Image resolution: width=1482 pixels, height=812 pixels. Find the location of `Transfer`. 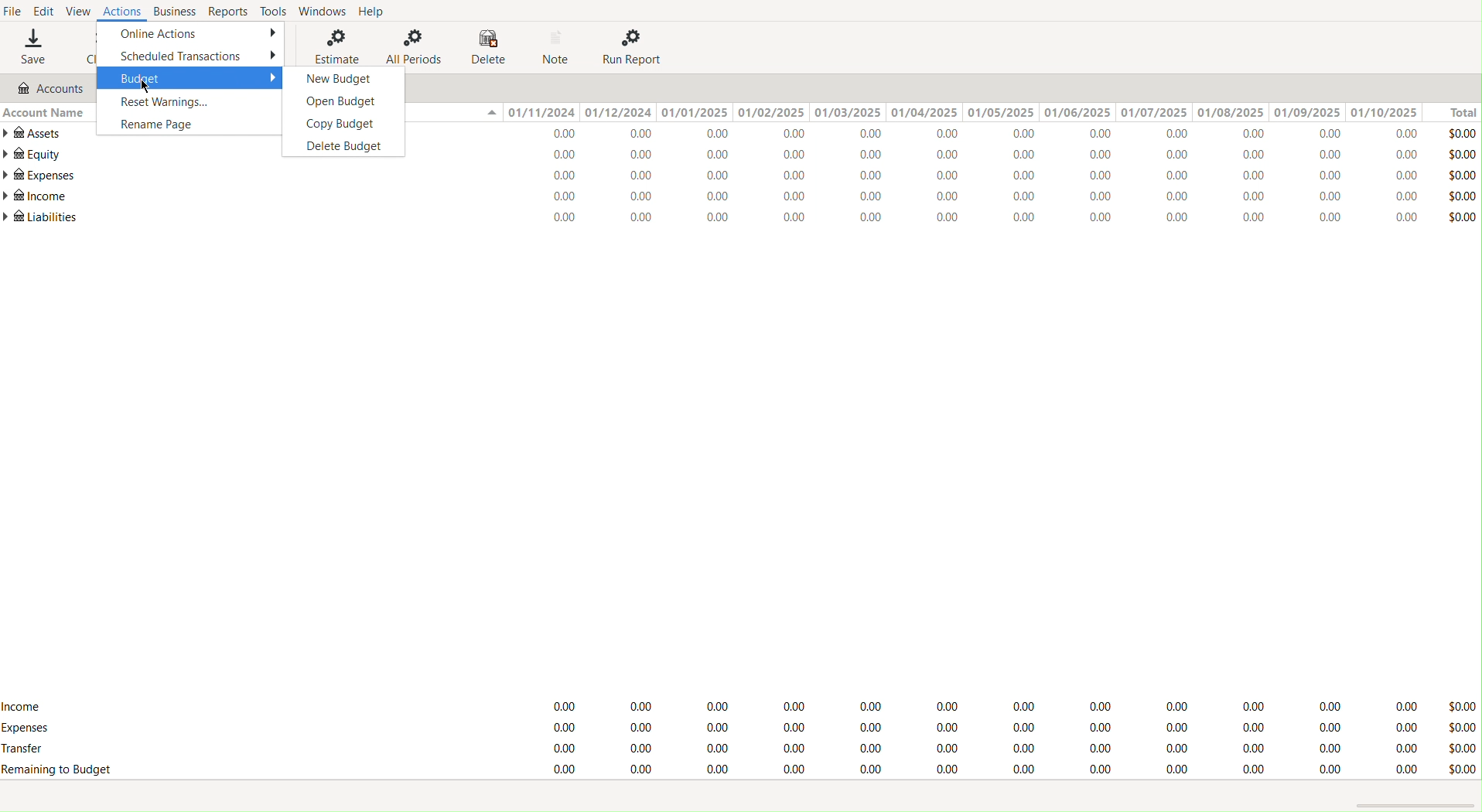

Transfer is located at coordinates (32, 750).